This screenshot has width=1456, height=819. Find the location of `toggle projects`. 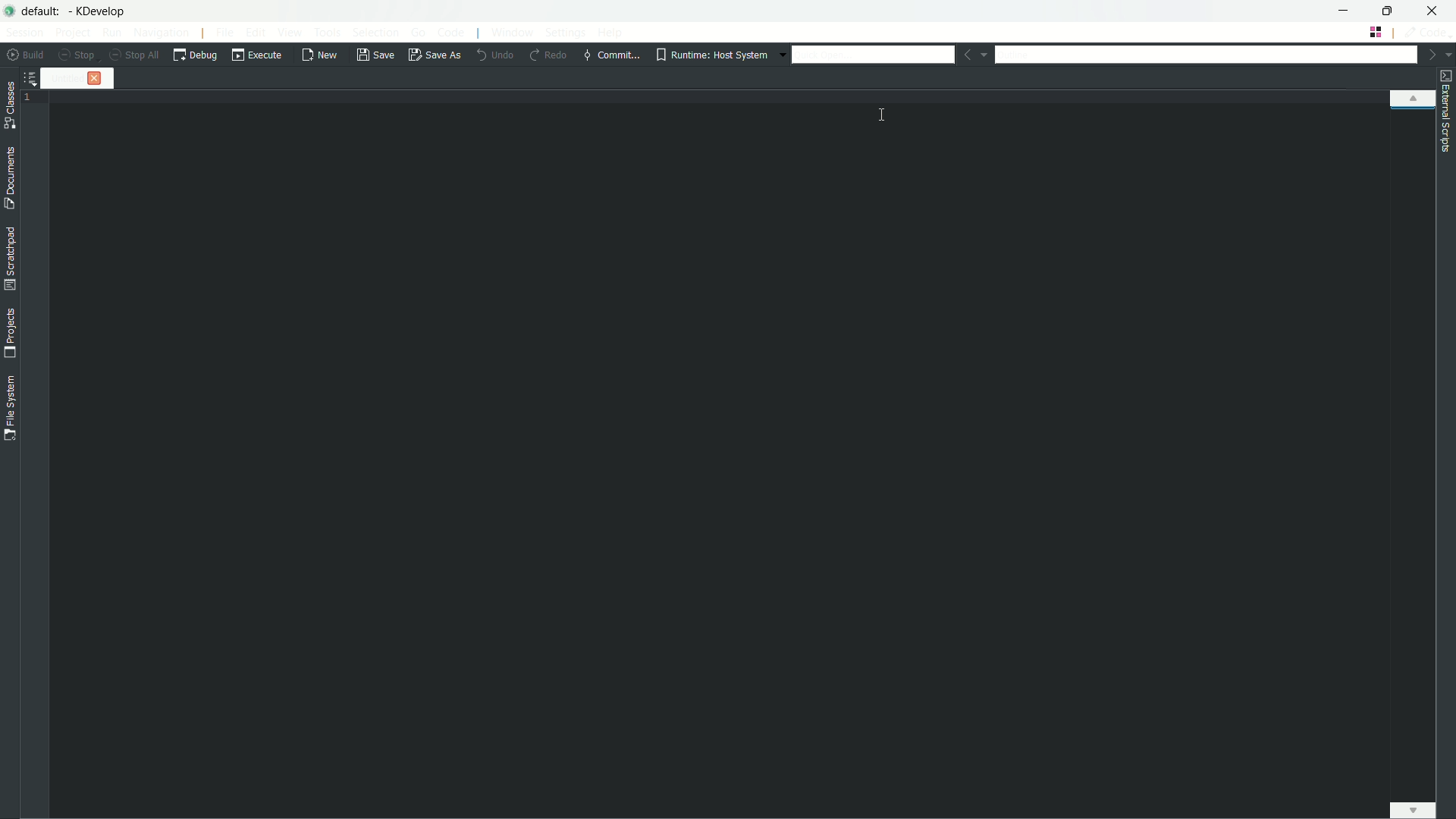

toggle projects is located at coordinates (10, 333).